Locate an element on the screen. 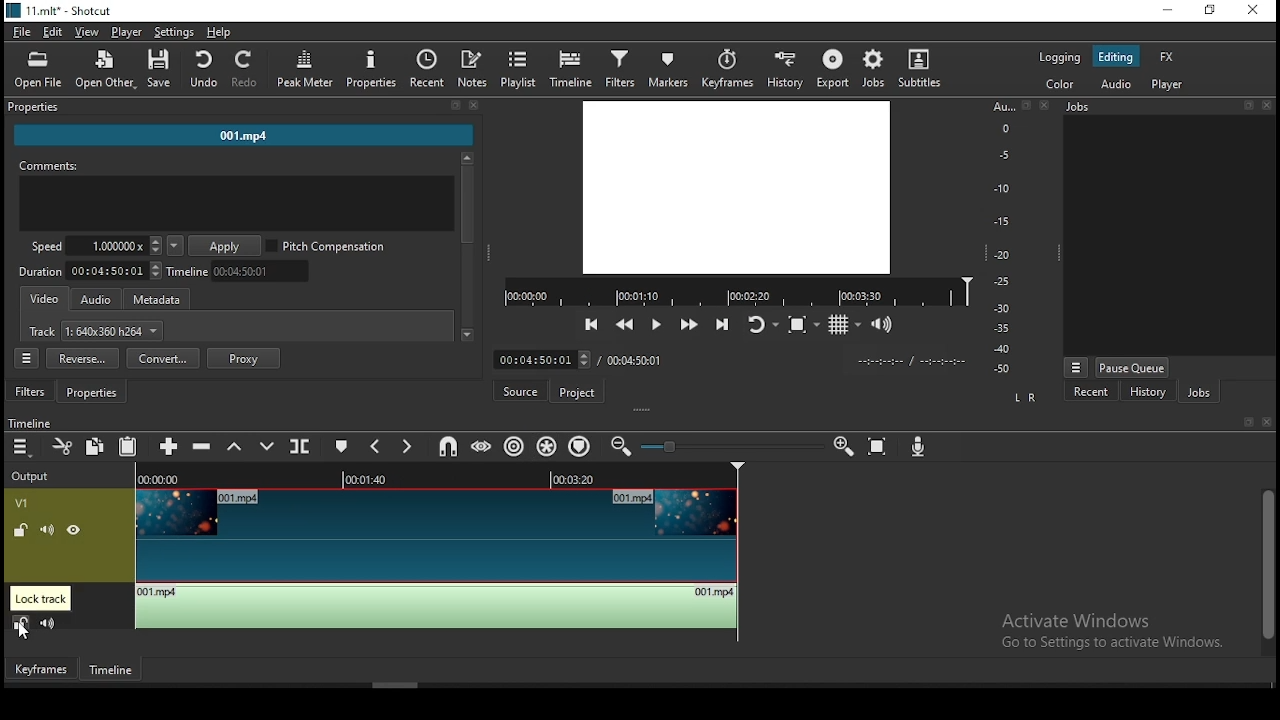 This screenshot has width=1280, height=720. L R is located at coordinates (1026, 400).